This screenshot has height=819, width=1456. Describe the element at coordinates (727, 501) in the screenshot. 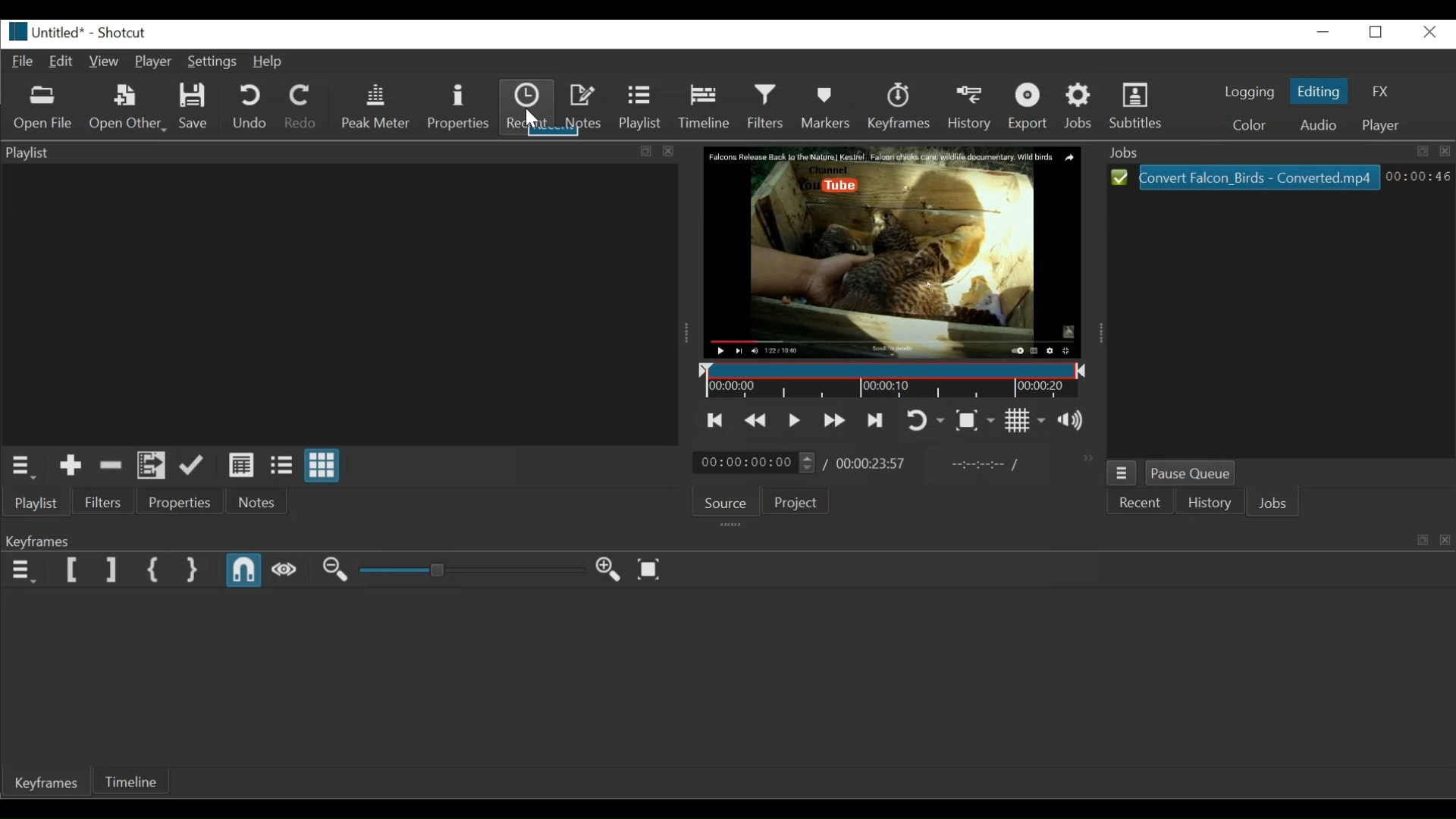

I see `Source` at that location.